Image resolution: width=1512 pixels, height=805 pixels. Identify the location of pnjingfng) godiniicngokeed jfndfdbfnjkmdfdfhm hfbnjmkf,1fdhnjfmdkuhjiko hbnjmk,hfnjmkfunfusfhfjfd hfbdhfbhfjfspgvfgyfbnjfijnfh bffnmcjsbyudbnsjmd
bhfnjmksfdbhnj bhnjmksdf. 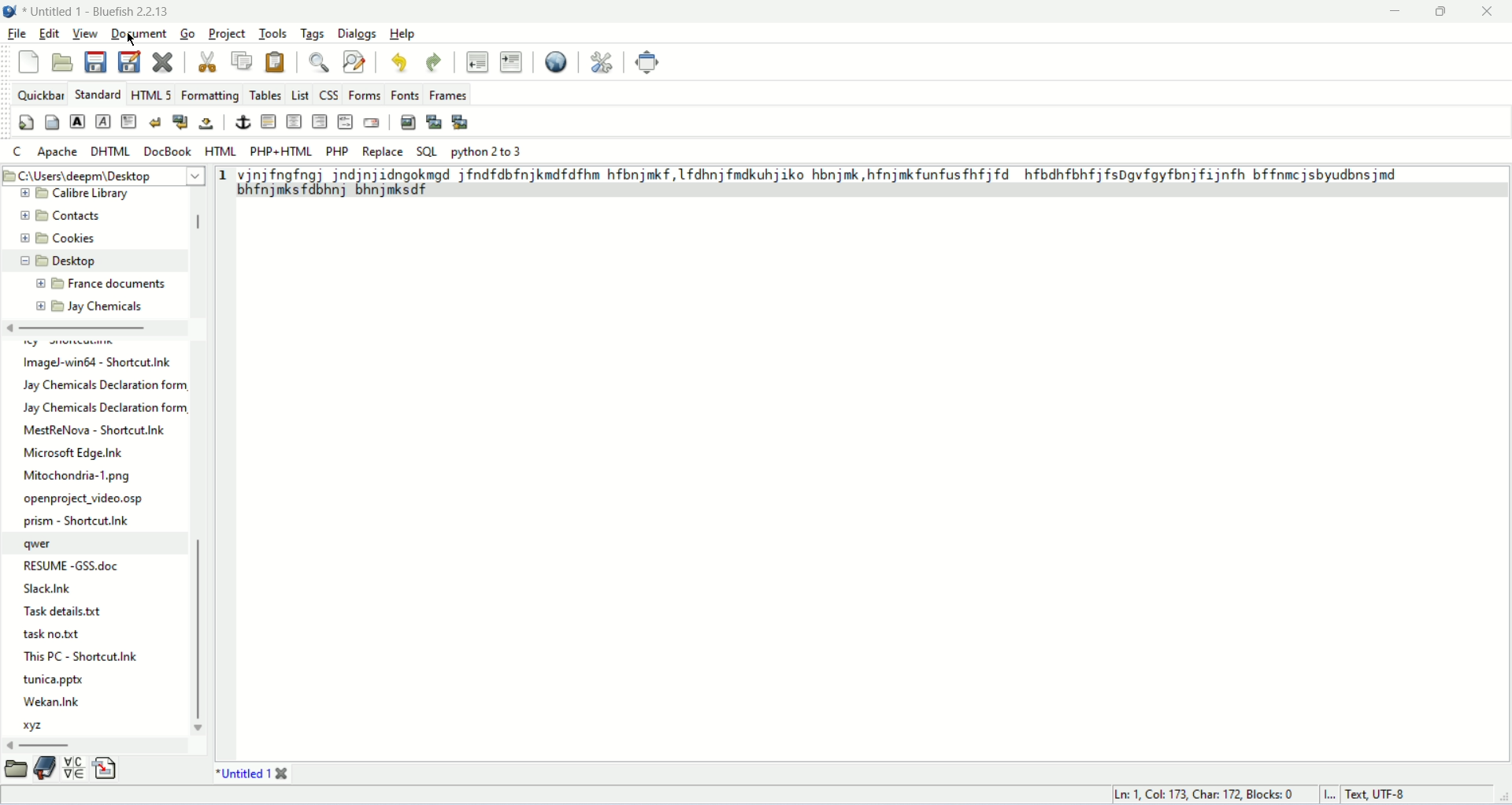
(828, 185).